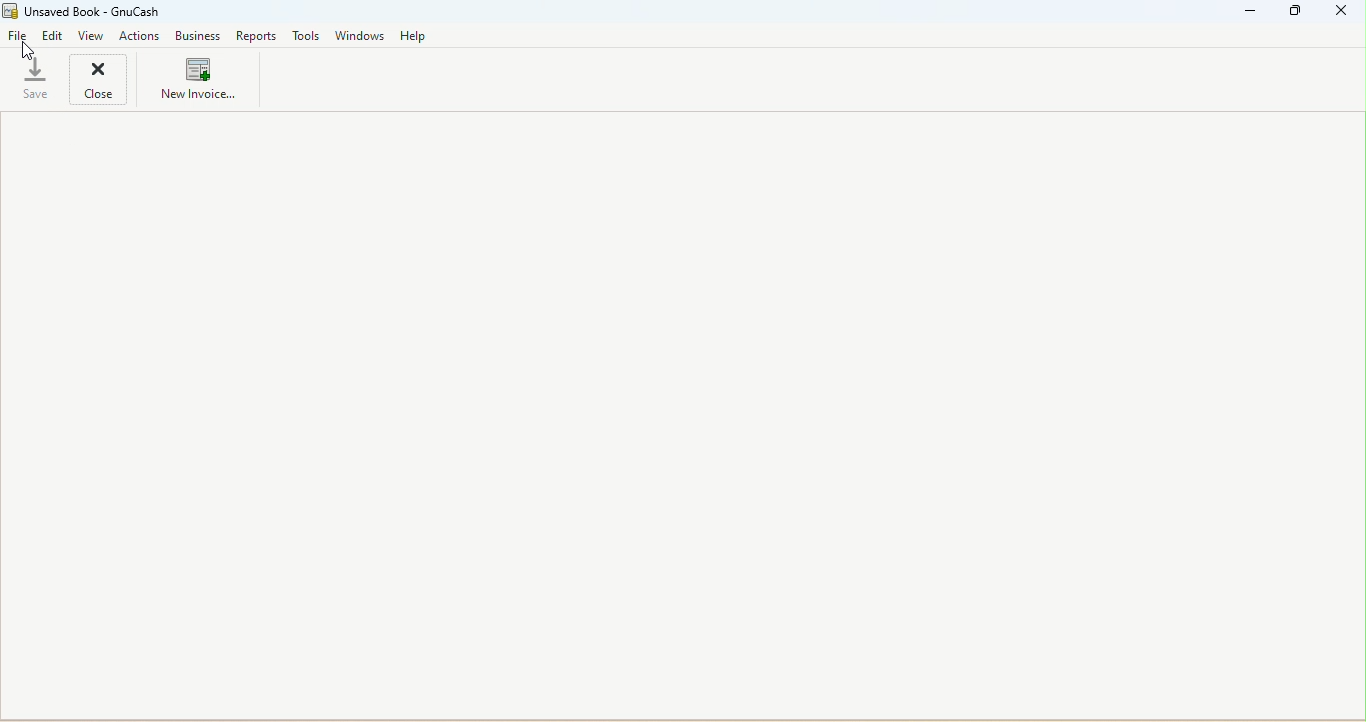 This screenshot has height=722, width=1366. Describe the element at coordinates (27, 51) in the screenshot. I see `cursor` at that location.